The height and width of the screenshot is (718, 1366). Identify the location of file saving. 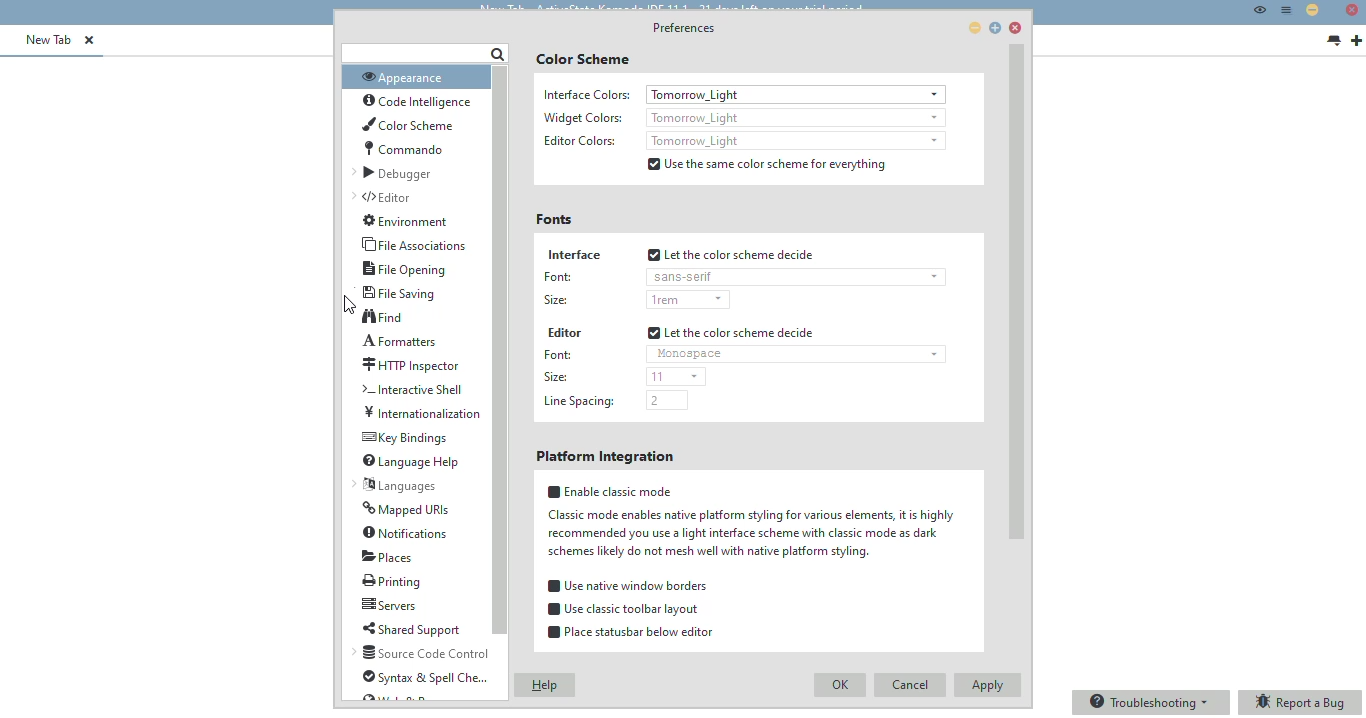
(400, 293).